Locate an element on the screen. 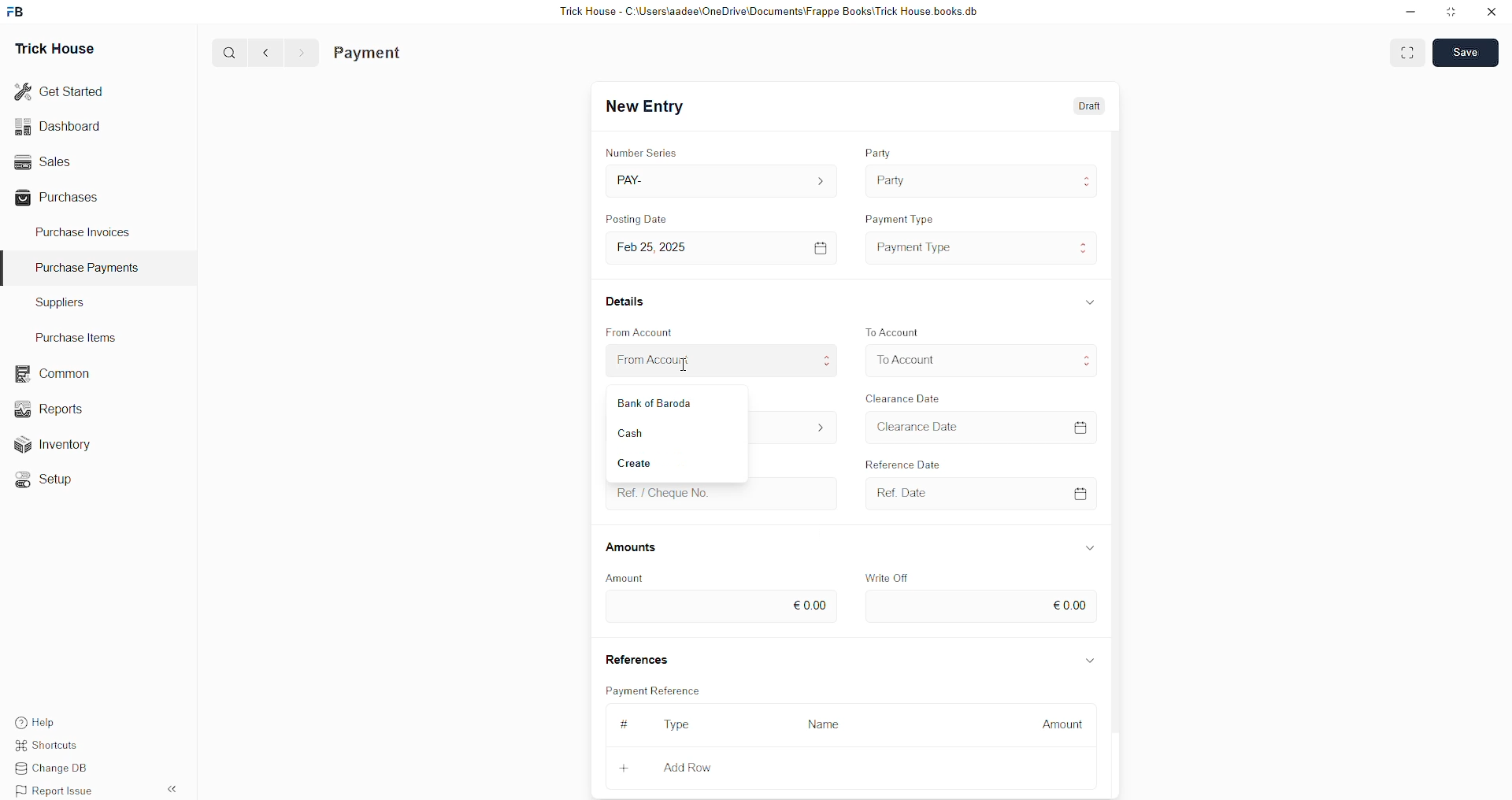  Change DB is located at coordinates (60, 769).